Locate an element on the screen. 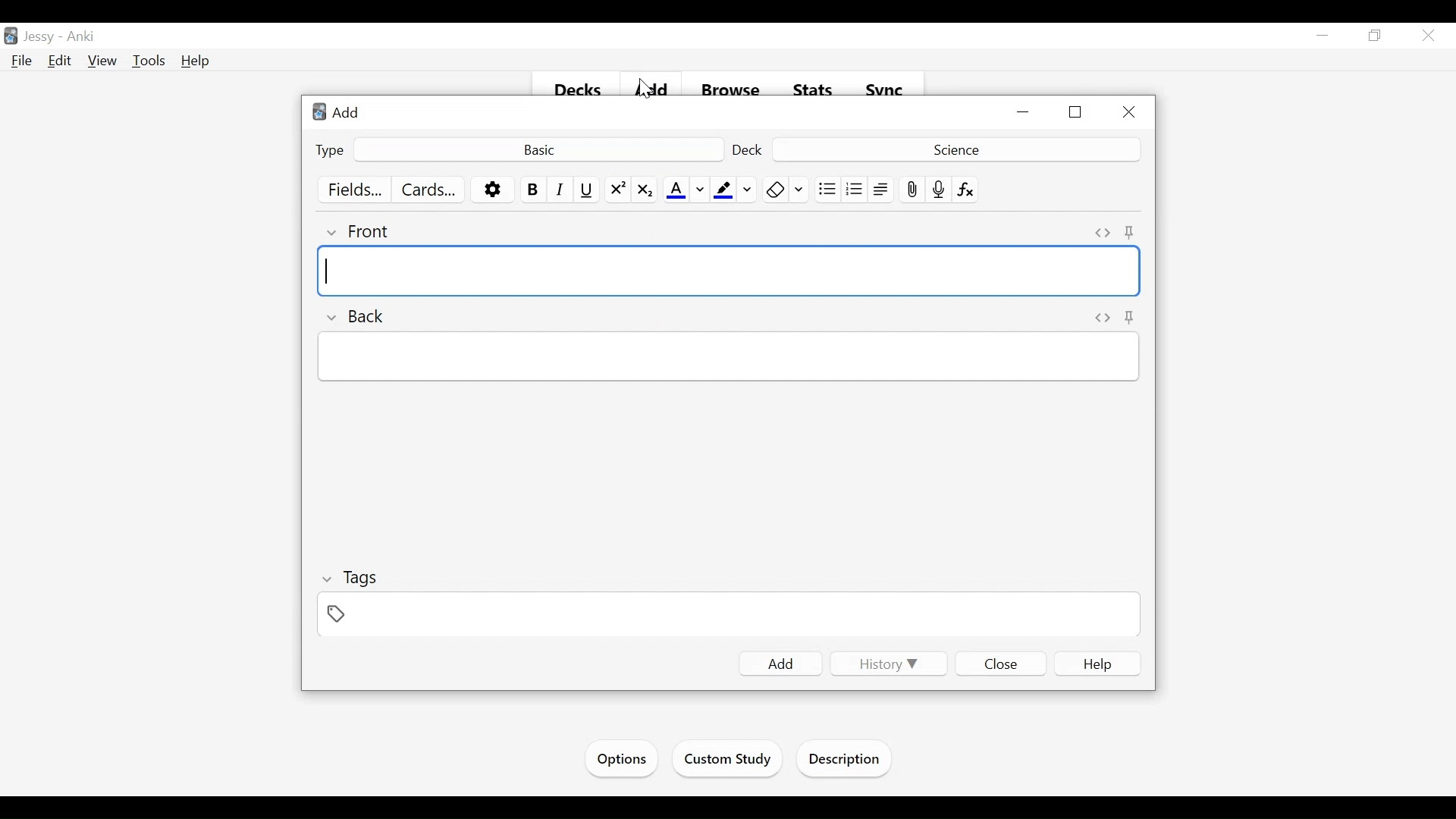 The width and height of the screenshot is (1456, 819). Customize Cards Template is located at coordinates (429, 190).